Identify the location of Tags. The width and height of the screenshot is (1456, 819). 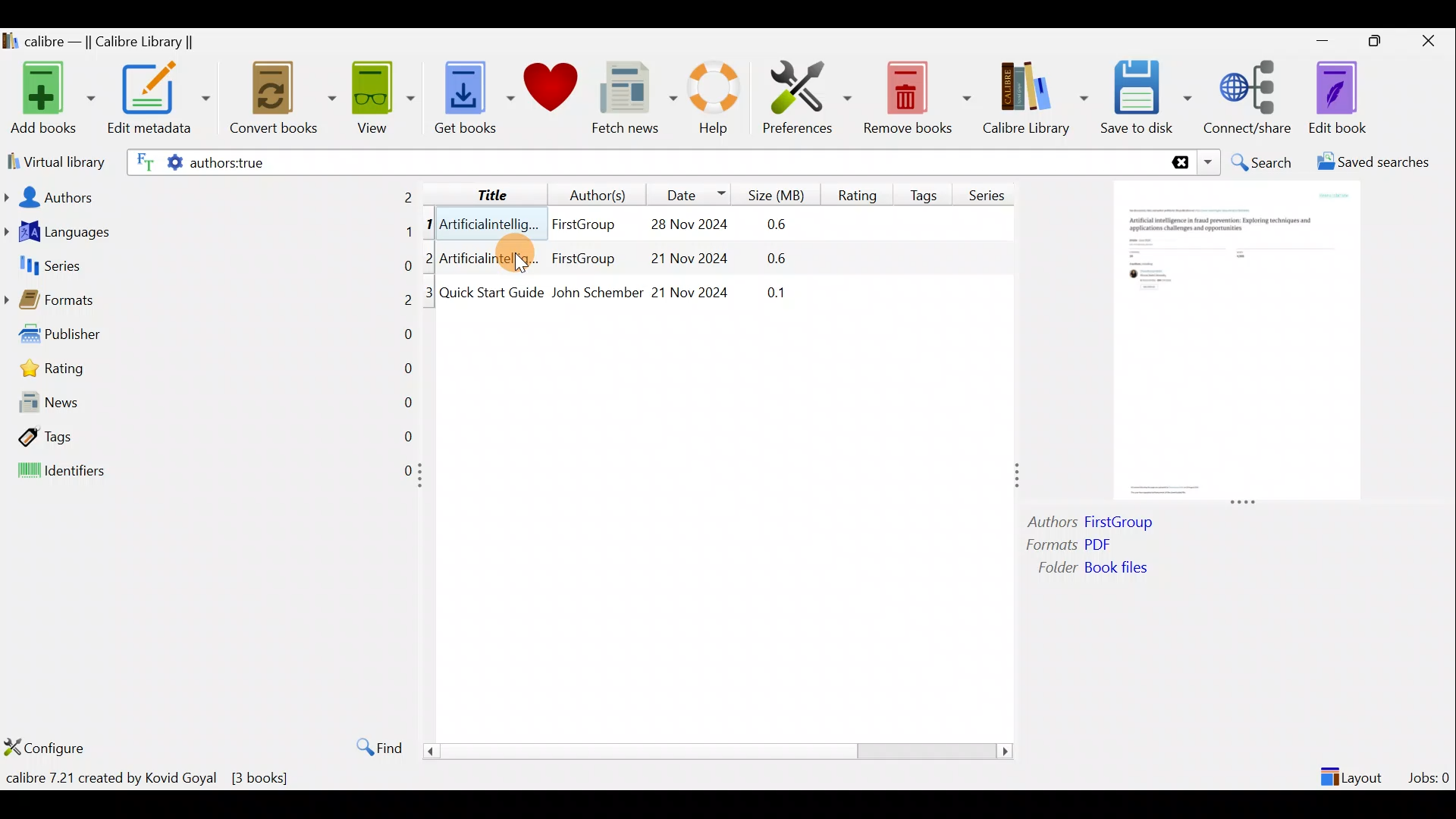
(927, 189).